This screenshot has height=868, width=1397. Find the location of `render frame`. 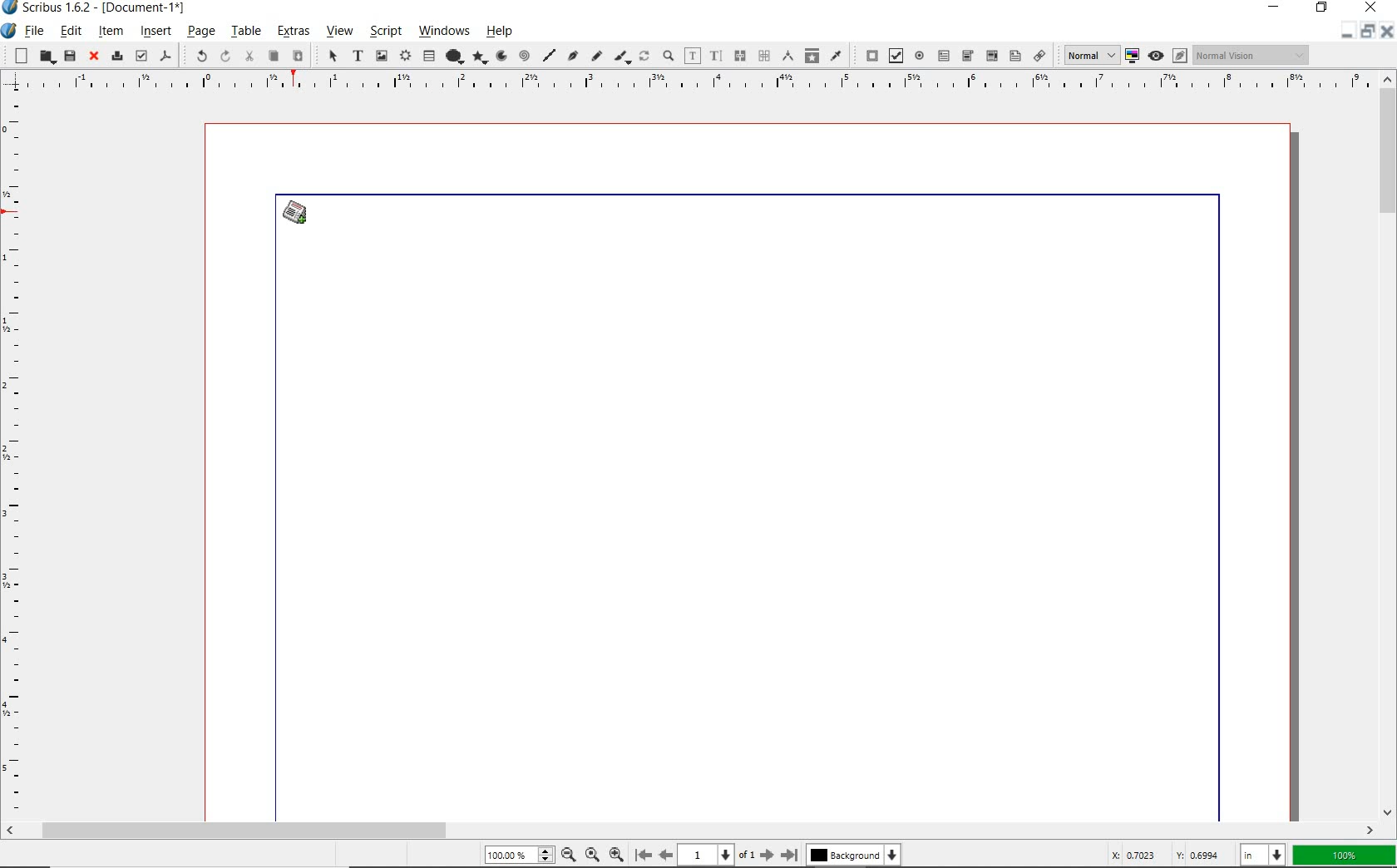

render frame is located at coordinates (403, 57).